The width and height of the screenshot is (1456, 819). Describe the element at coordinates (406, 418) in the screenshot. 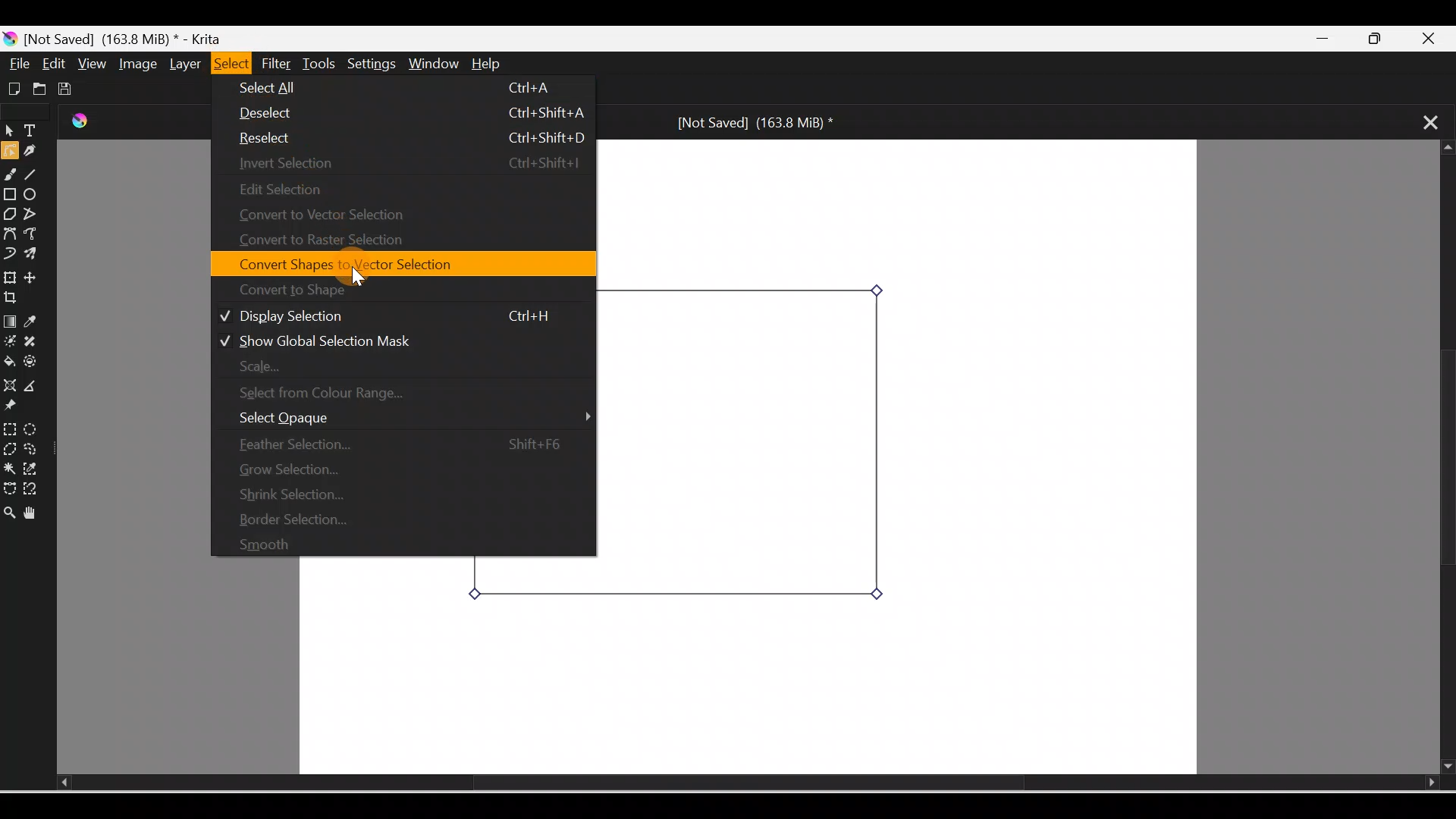

I see `Select opaque` at that location.